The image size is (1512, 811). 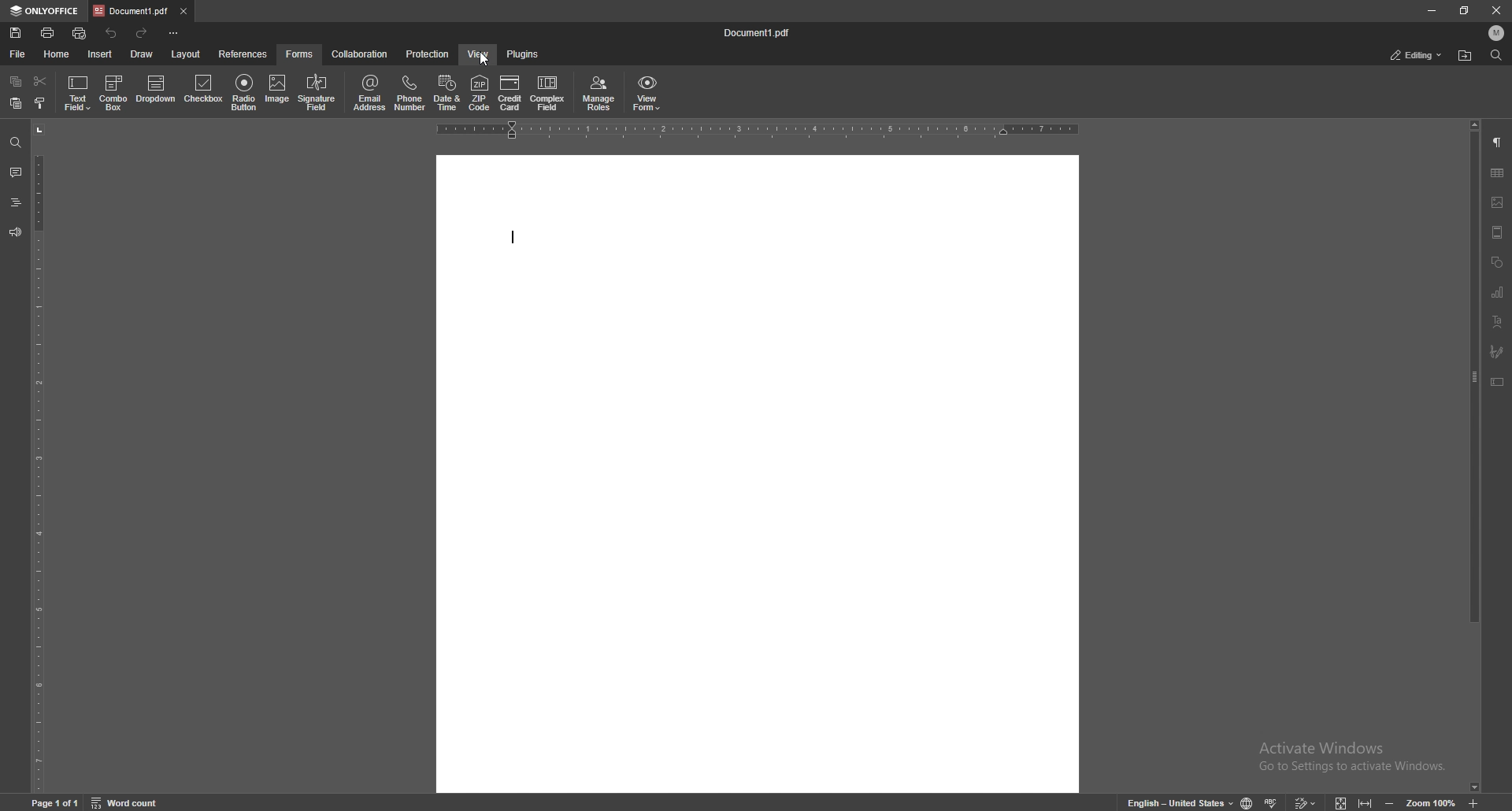 What do you see at coordinates (15, 233) in the screenshot?
I see `feedback` at bounding box center [15, 233].